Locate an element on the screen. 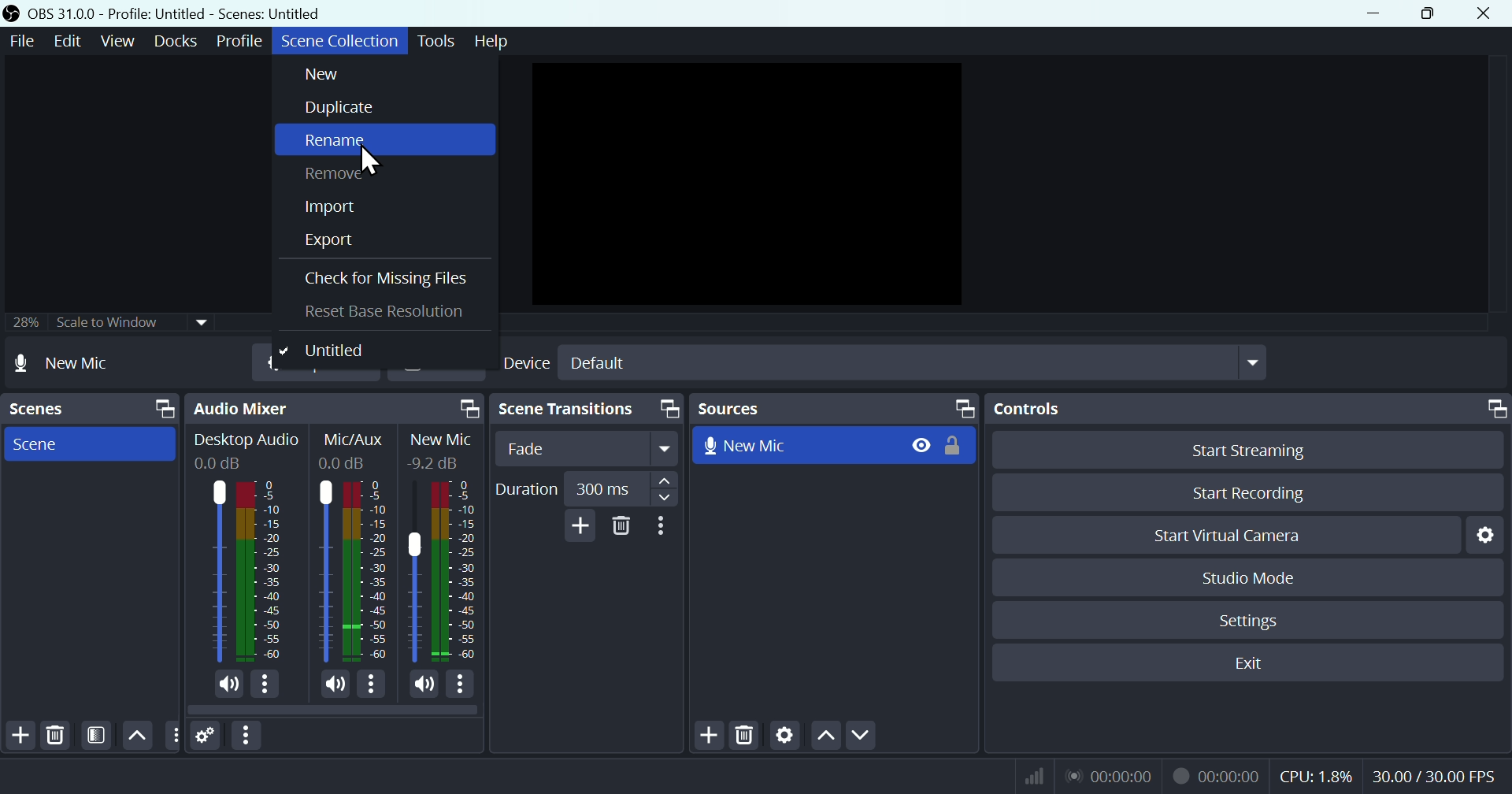 Image resolution: width=1512 pixels, height=794 pixels. cheque for missing files is located at coordinates (387, 279).